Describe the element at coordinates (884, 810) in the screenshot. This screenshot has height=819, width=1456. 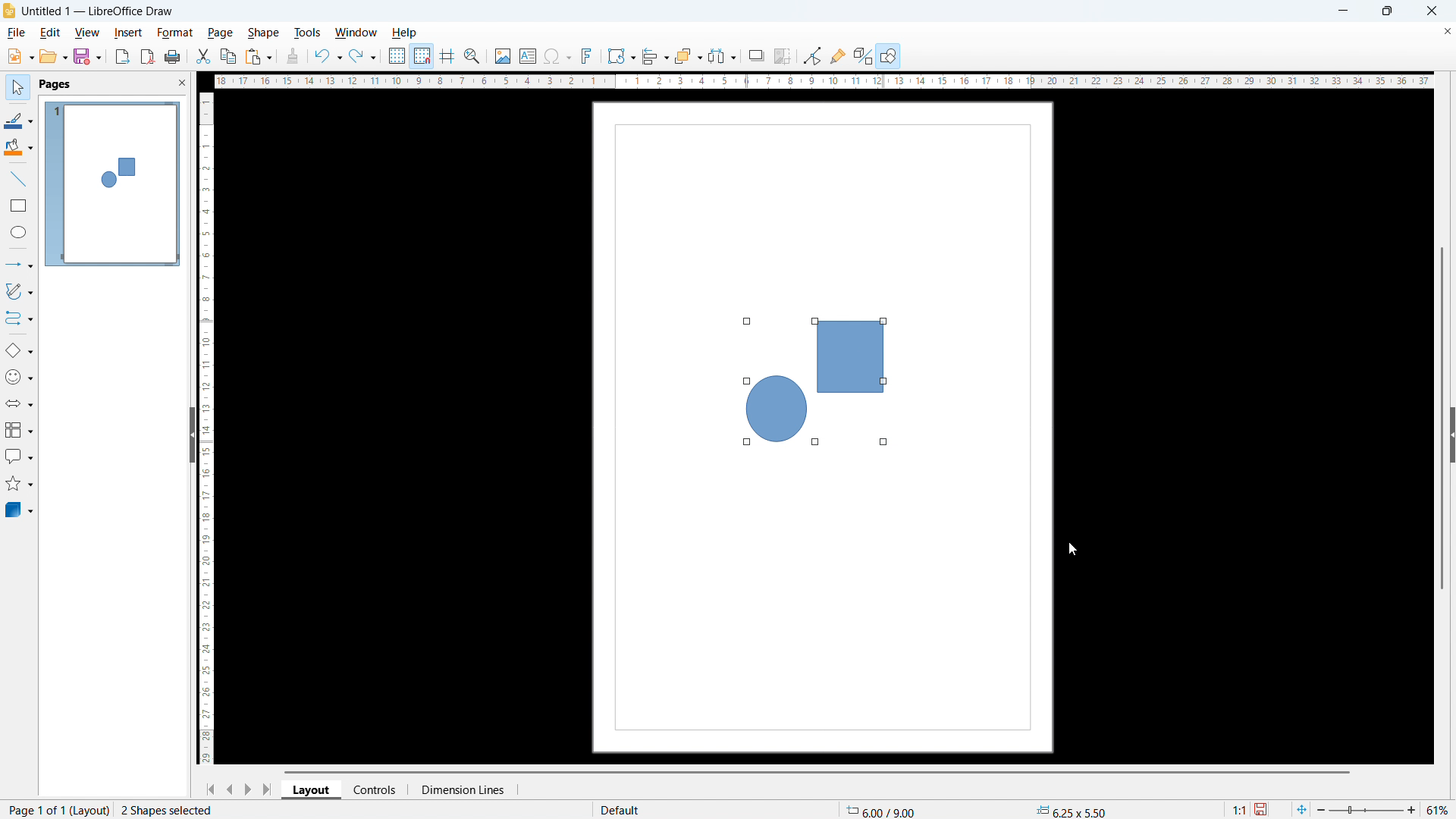
I see `cursor coordinate` at that location.